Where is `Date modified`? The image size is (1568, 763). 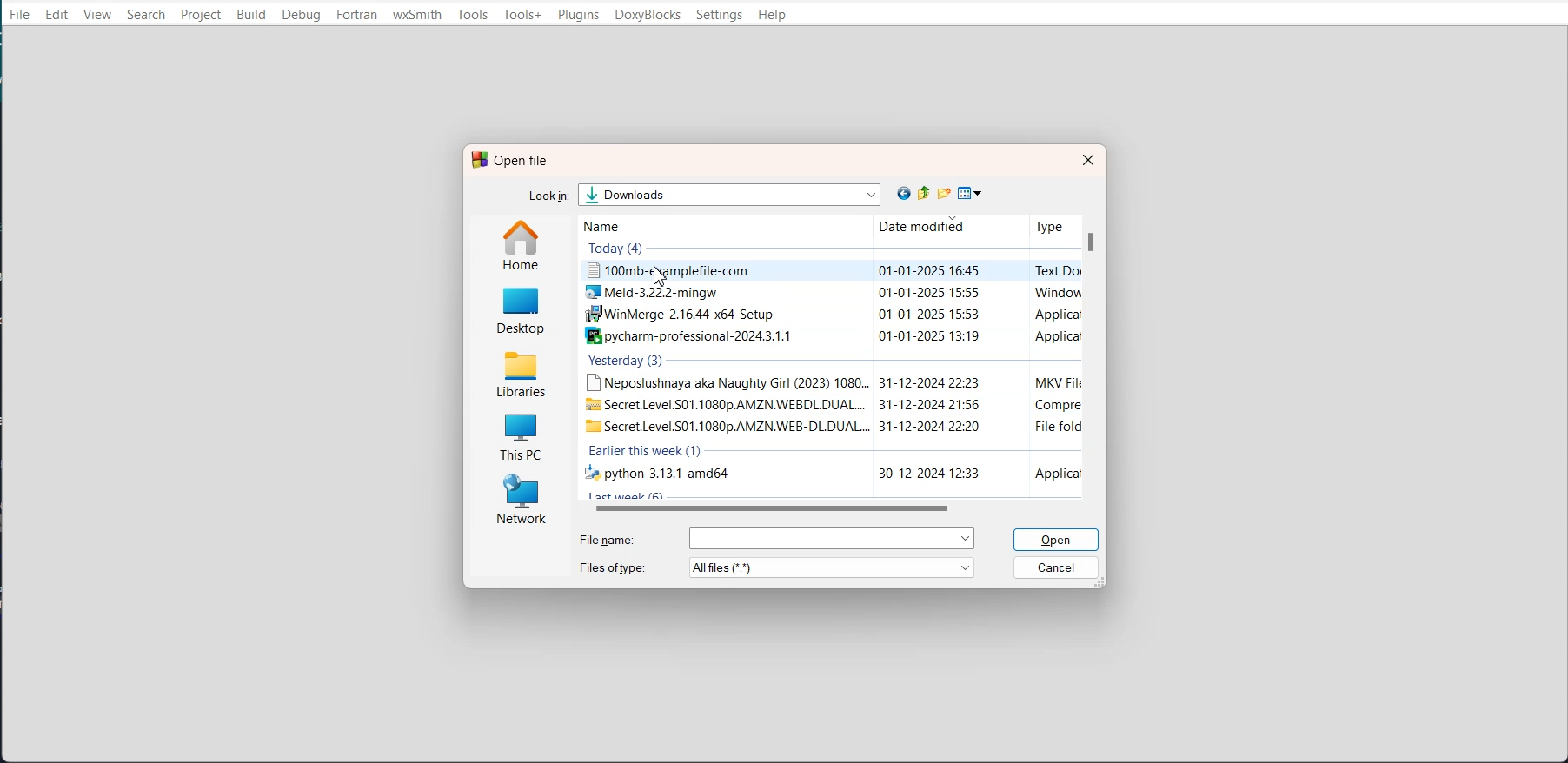 Date modified is located at coordinates (914, 227).